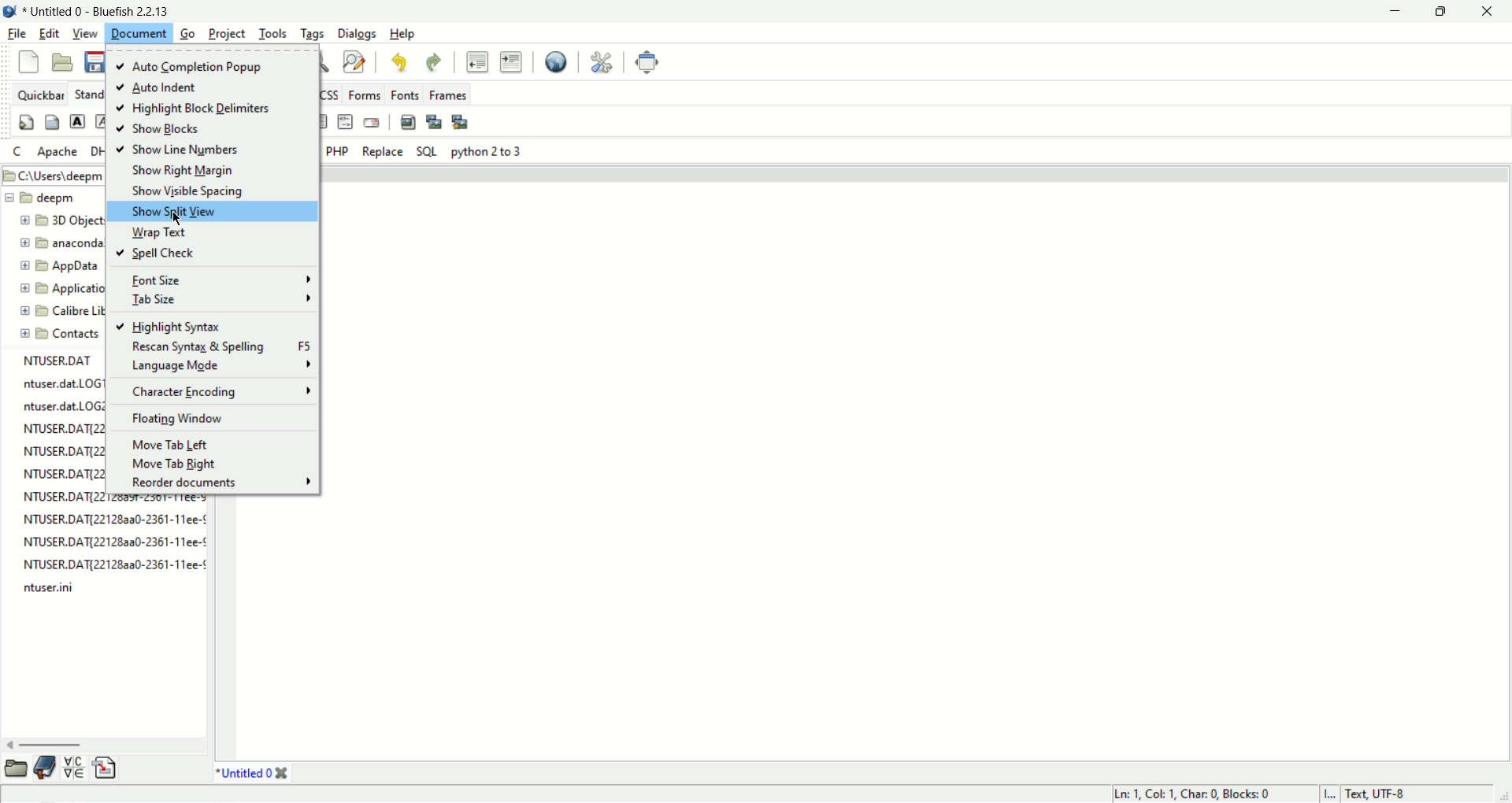 The width and height of the screenshot is (1512, 803). What do you see at coordinates (79, 121) in the screenshot?
I see `strong` at bounding box center [79, 121].